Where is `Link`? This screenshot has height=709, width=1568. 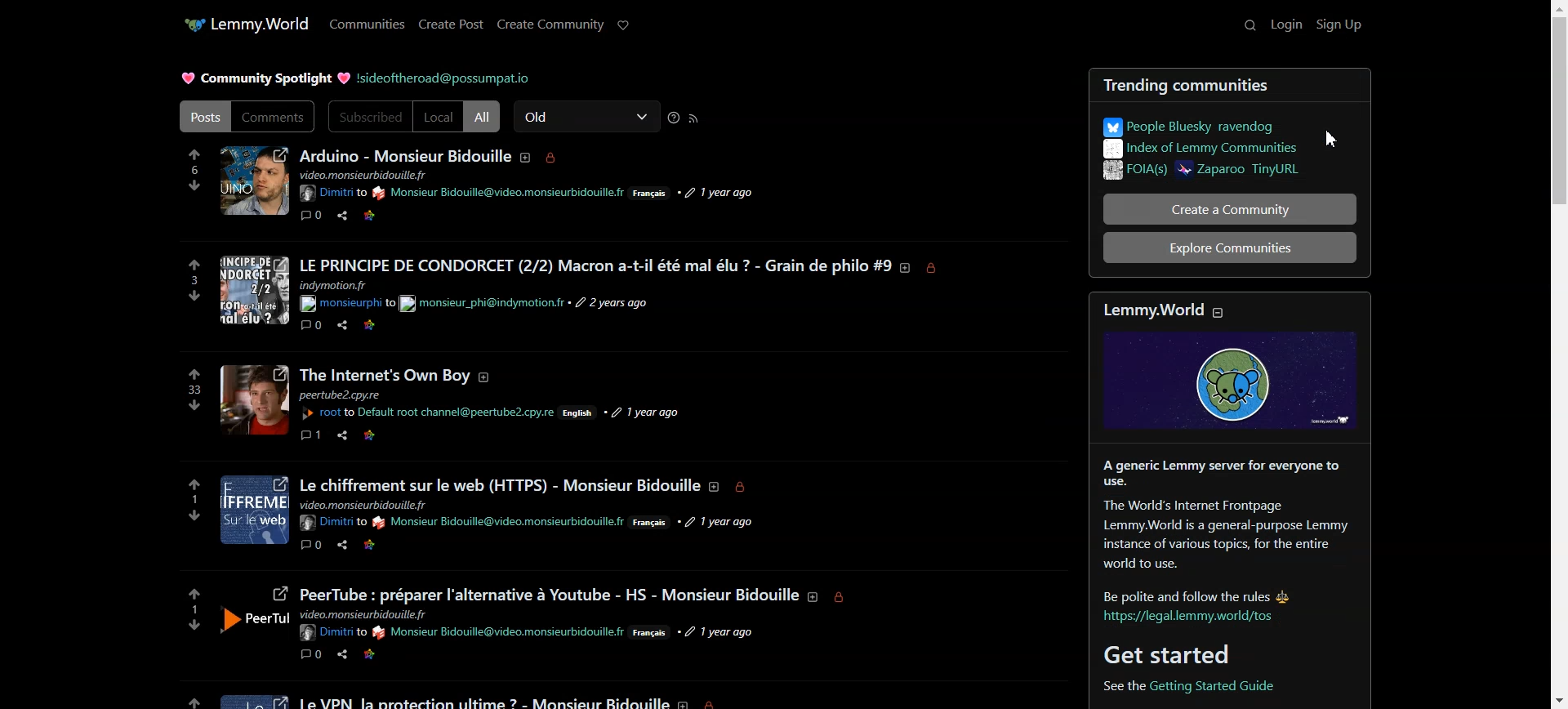 Link is located at coordinates (368, 216).